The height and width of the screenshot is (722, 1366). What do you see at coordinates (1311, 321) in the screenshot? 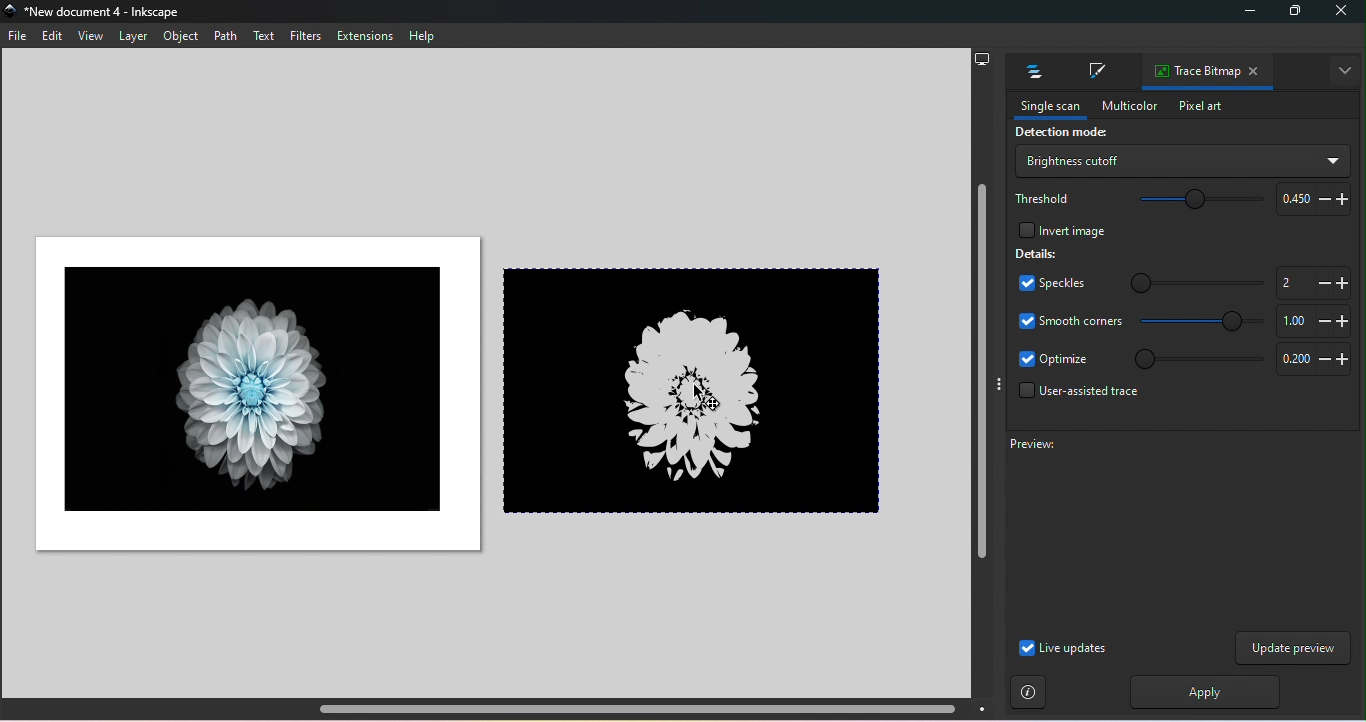
I see `Increase or decrease smooth corners` at bounding box center [1311, 321].